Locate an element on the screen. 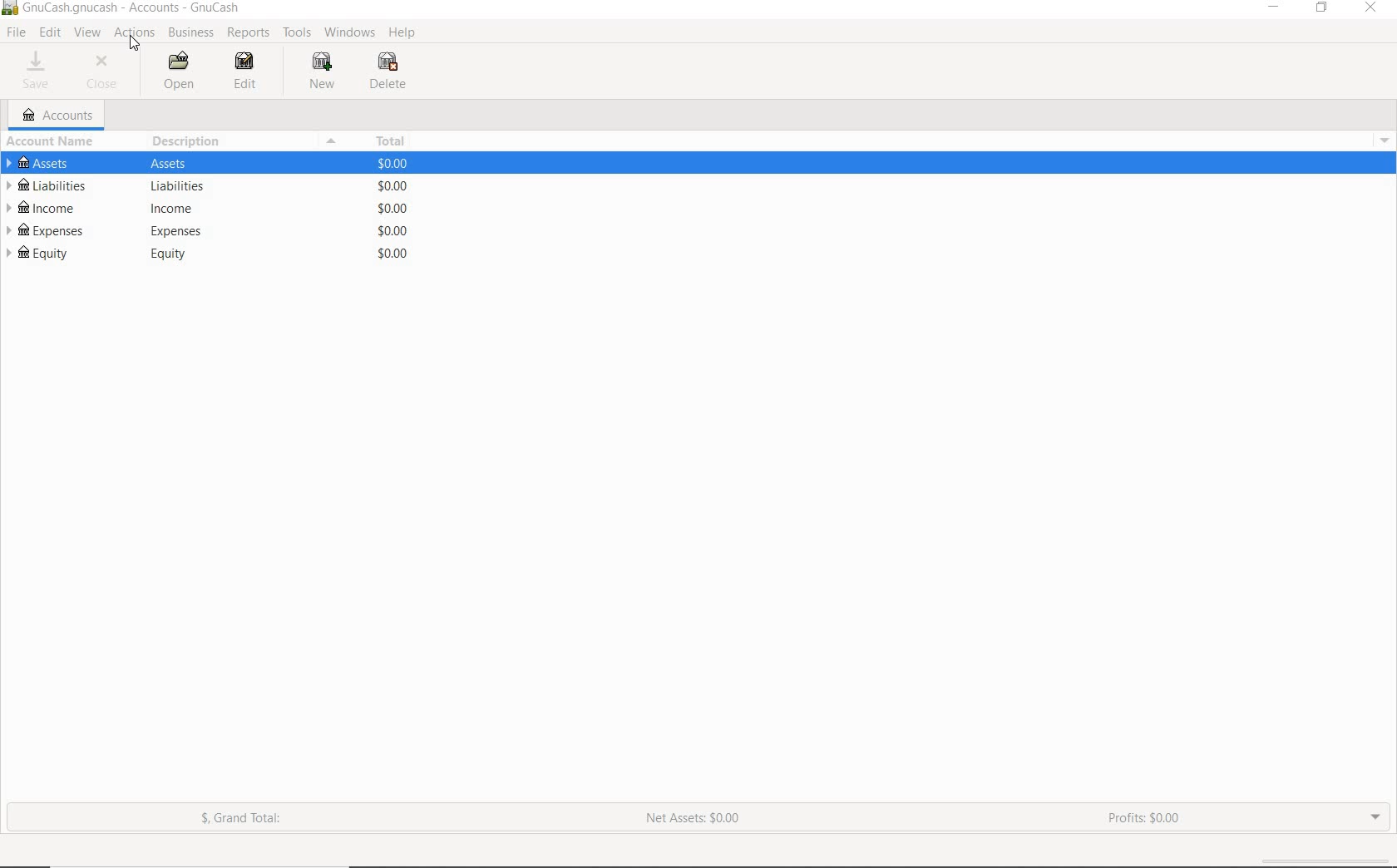 The width and height of the screenshot is (1397, 868). DELETE is located at coordinates (387, 72).